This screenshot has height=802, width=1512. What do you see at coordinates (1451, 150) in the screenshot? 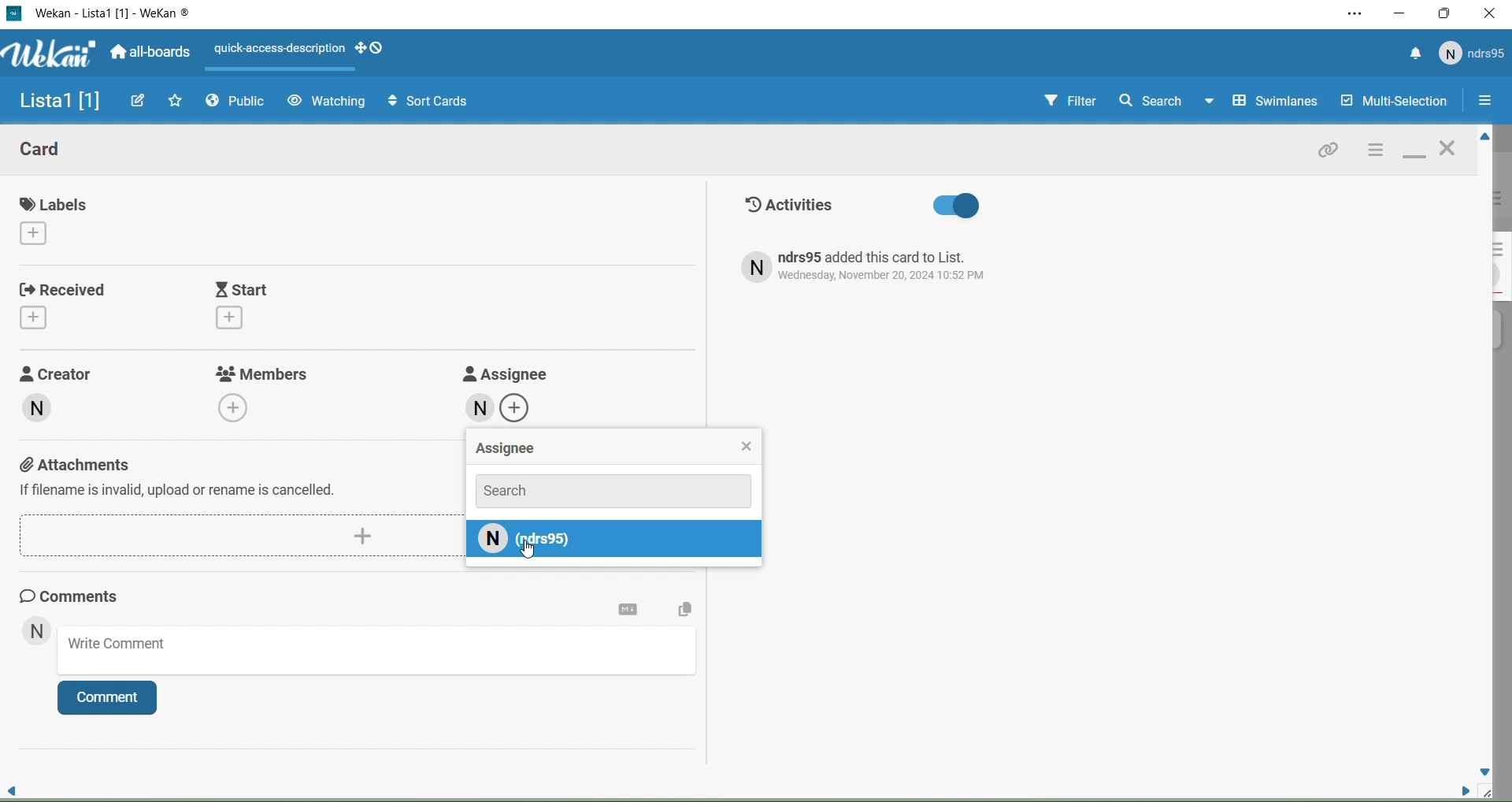
I see `close` at bounding box center [1451, 150].